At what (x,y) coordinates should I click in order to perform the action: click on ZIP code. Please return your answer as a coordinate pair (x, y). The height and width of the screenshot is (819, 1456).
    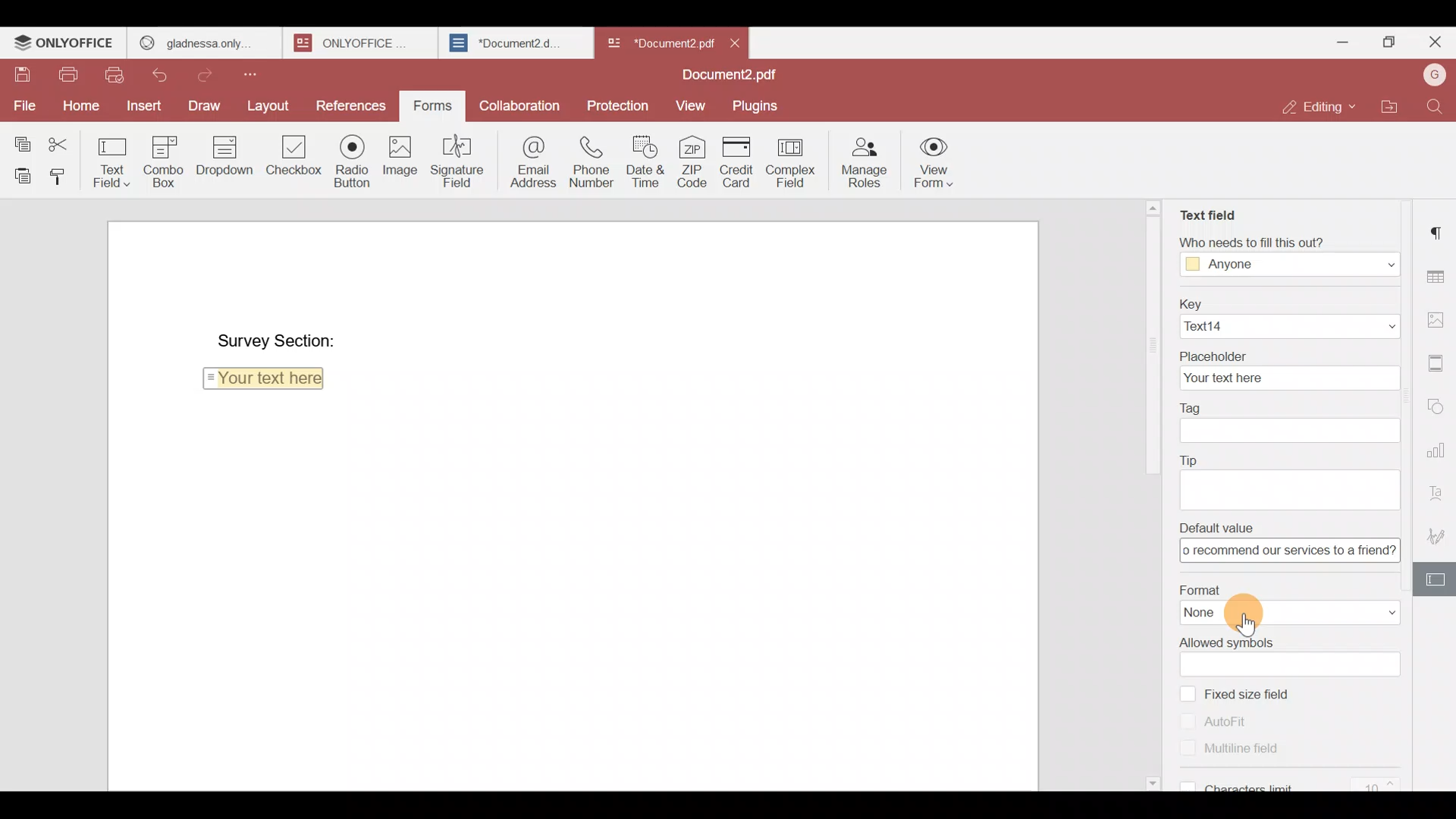
    Looking at the image, I should click on (695, 160).